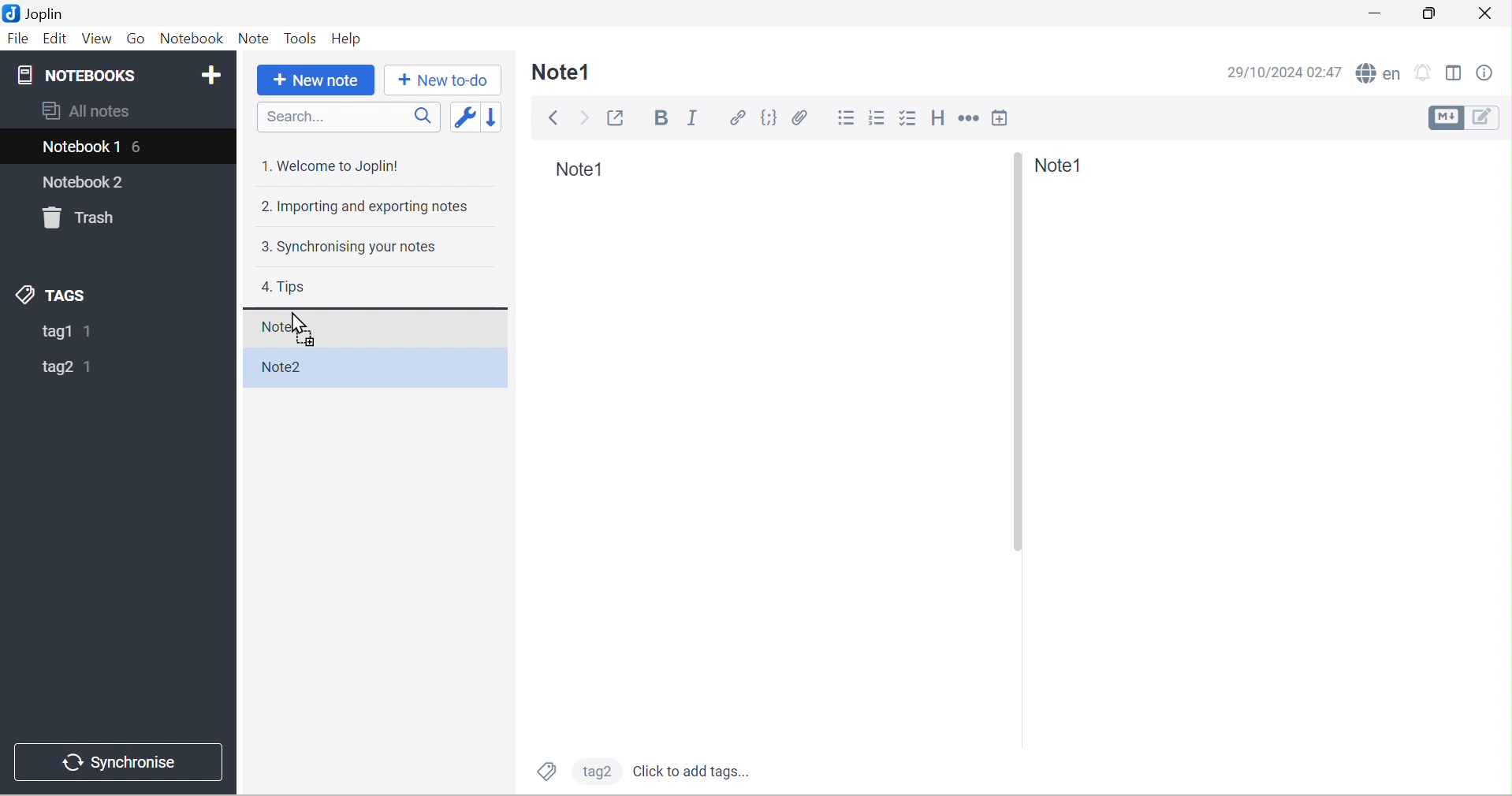 The image size is (1512, 796). What do you see at coordinates (443, 82) in the screenshot?
I see `+ New to do` at bounding box center [443, 82].